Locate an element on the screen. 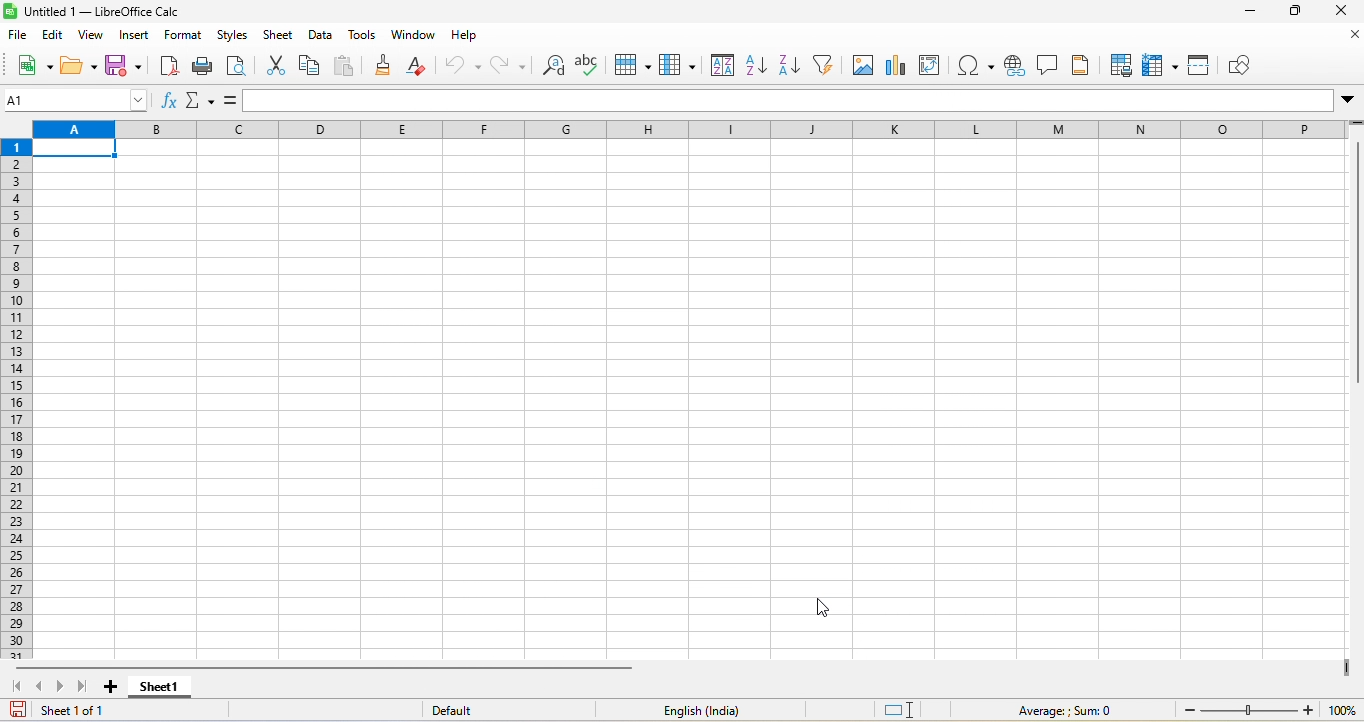 Image resolution: width=1364 pixels, height=722 pixels. headers and footers is located at coordinates (1080, 64).